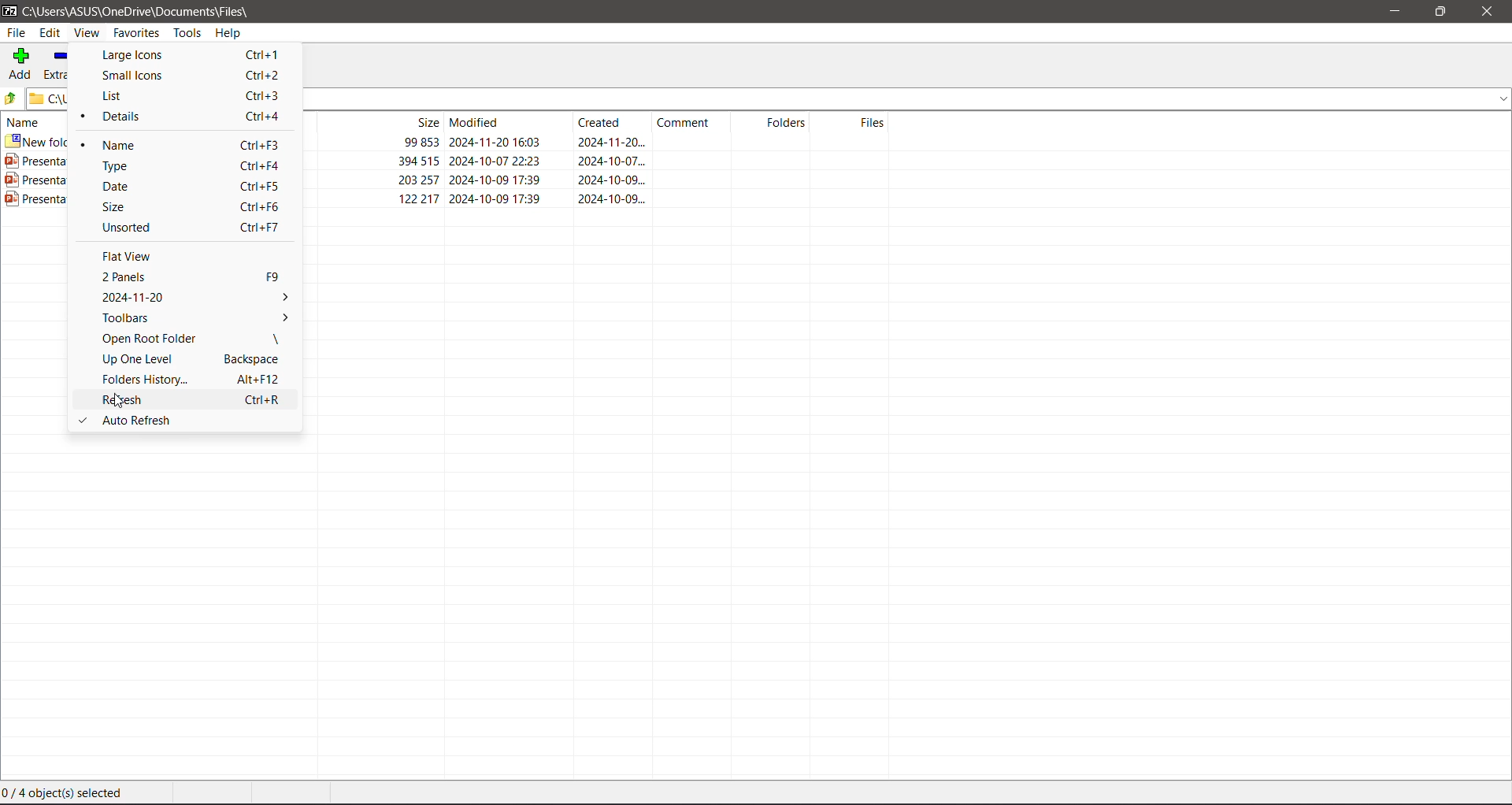  I want to click on Flat View, so click(135, 256).